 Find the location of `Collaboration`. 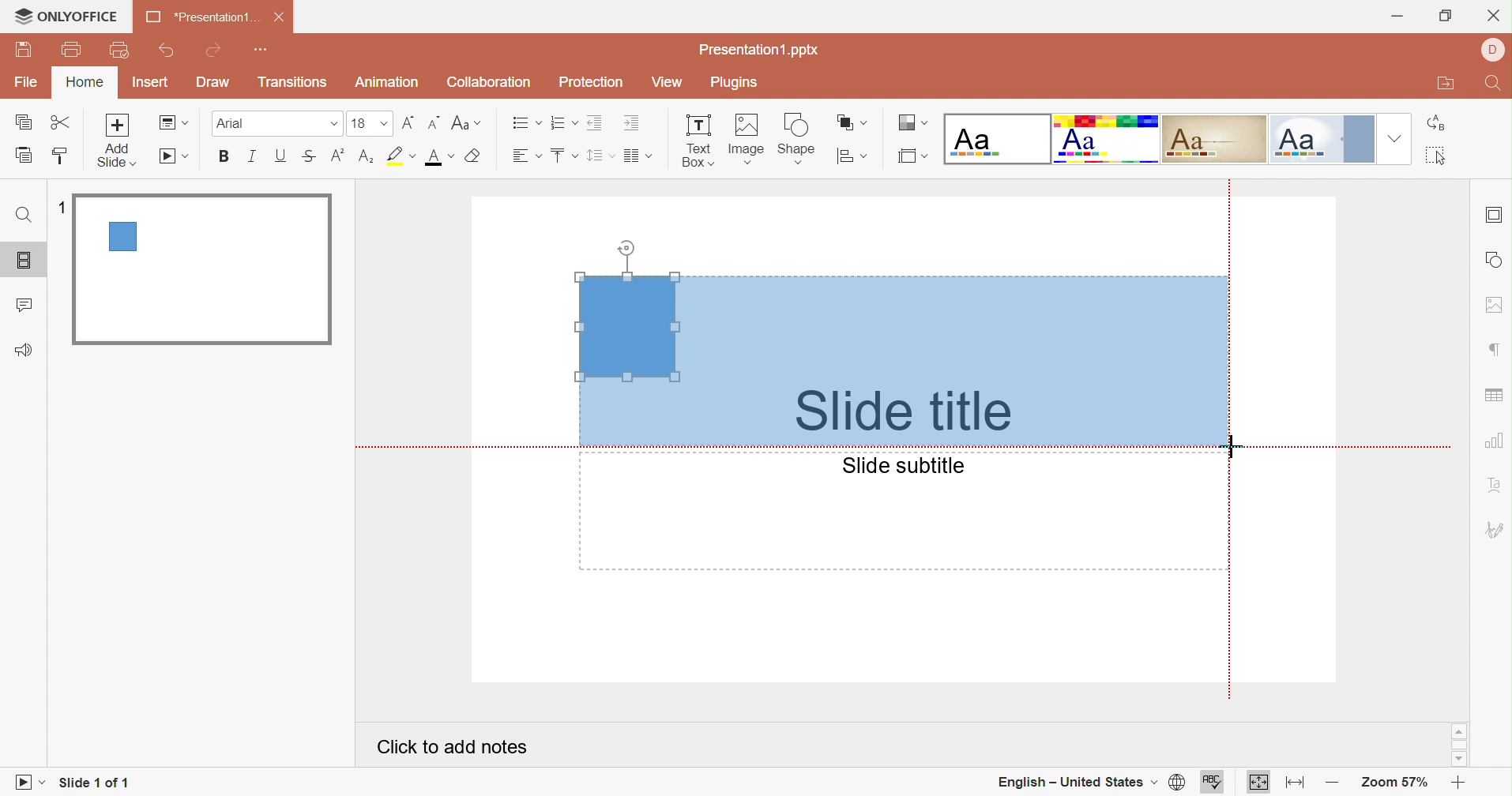

Collaboration is located at coordinates (486, 83).